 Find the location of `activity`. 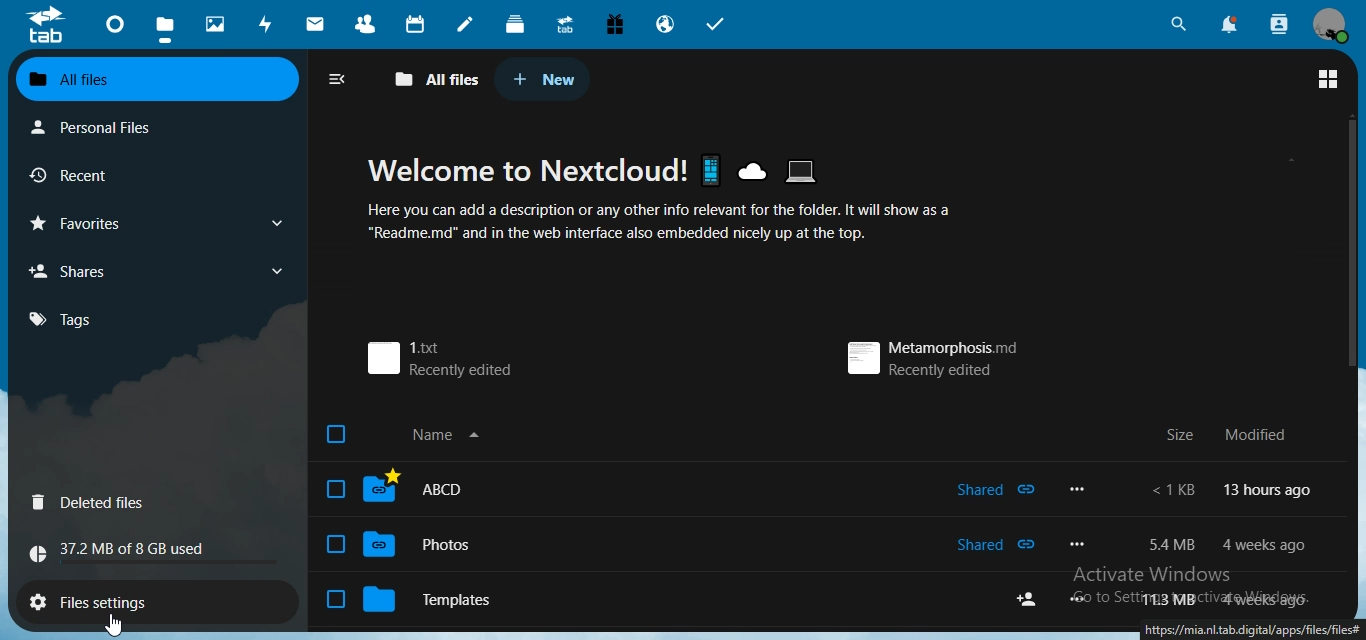

activity is located at coordinates (264, 24).